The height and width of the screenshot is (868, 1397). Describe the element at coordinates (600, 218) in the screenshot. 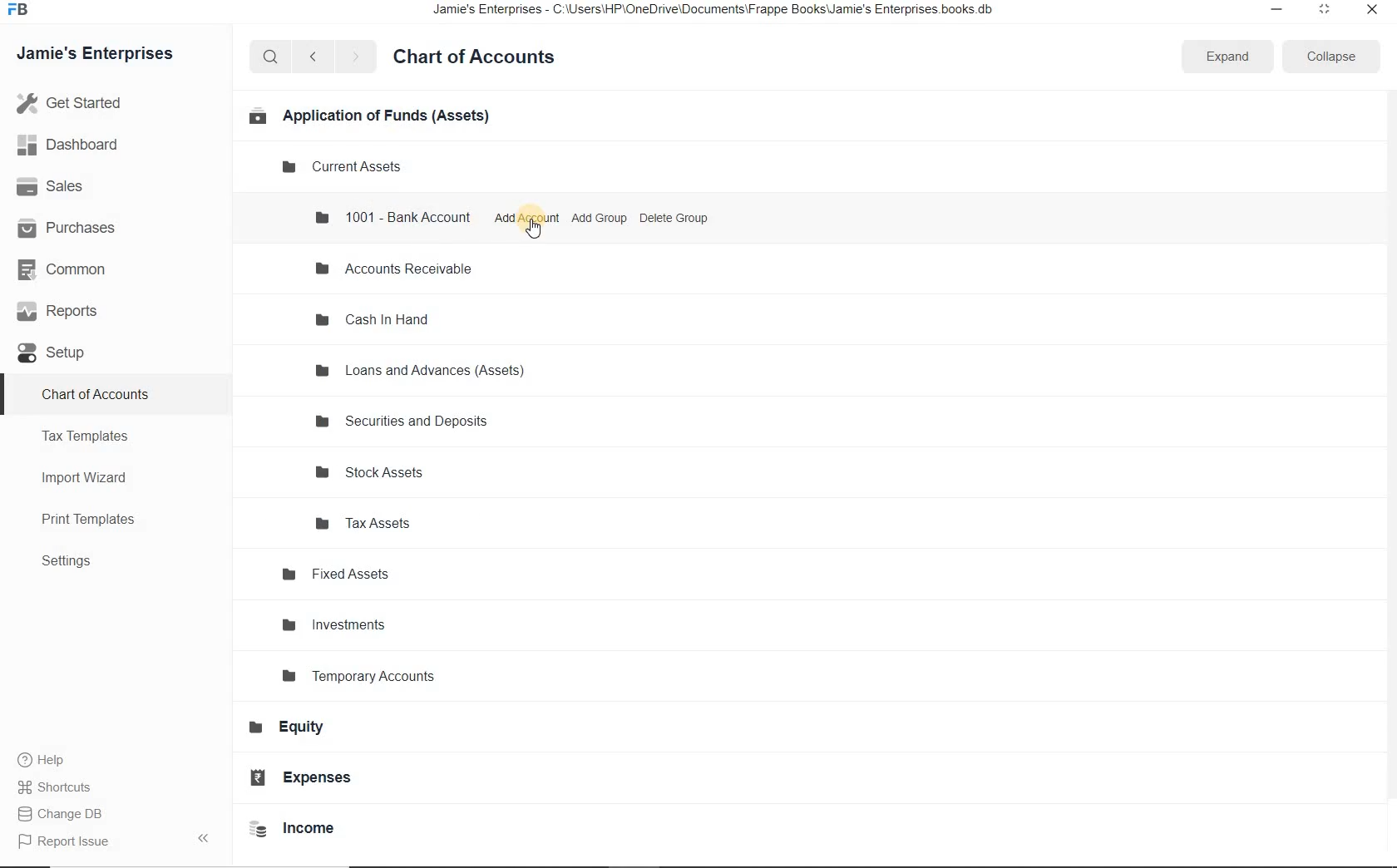

I see `Add Group` at that location.